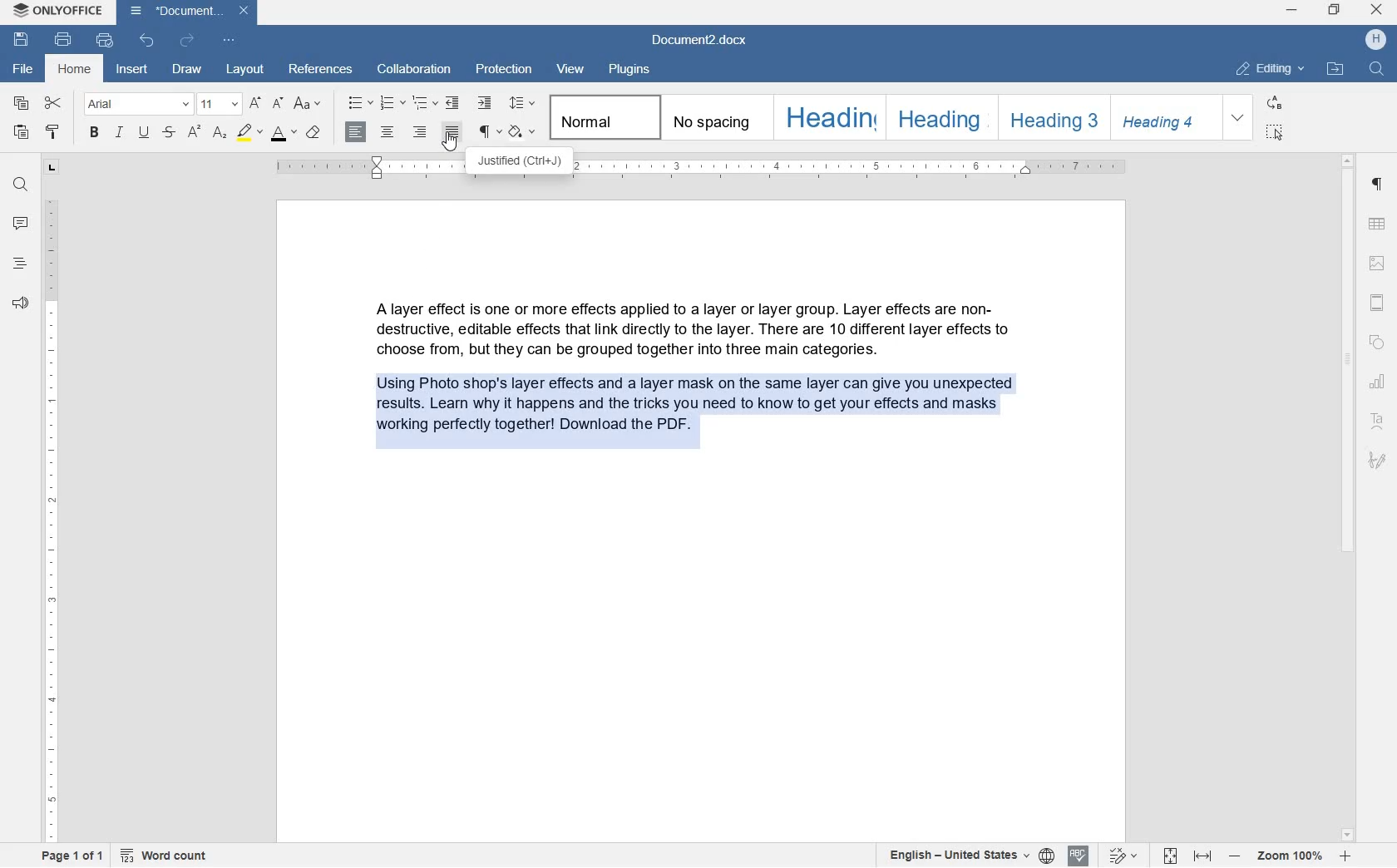  Describe the element at coordinates (146, 133) in the screenshot. I see `UNDERLINE` at that location.